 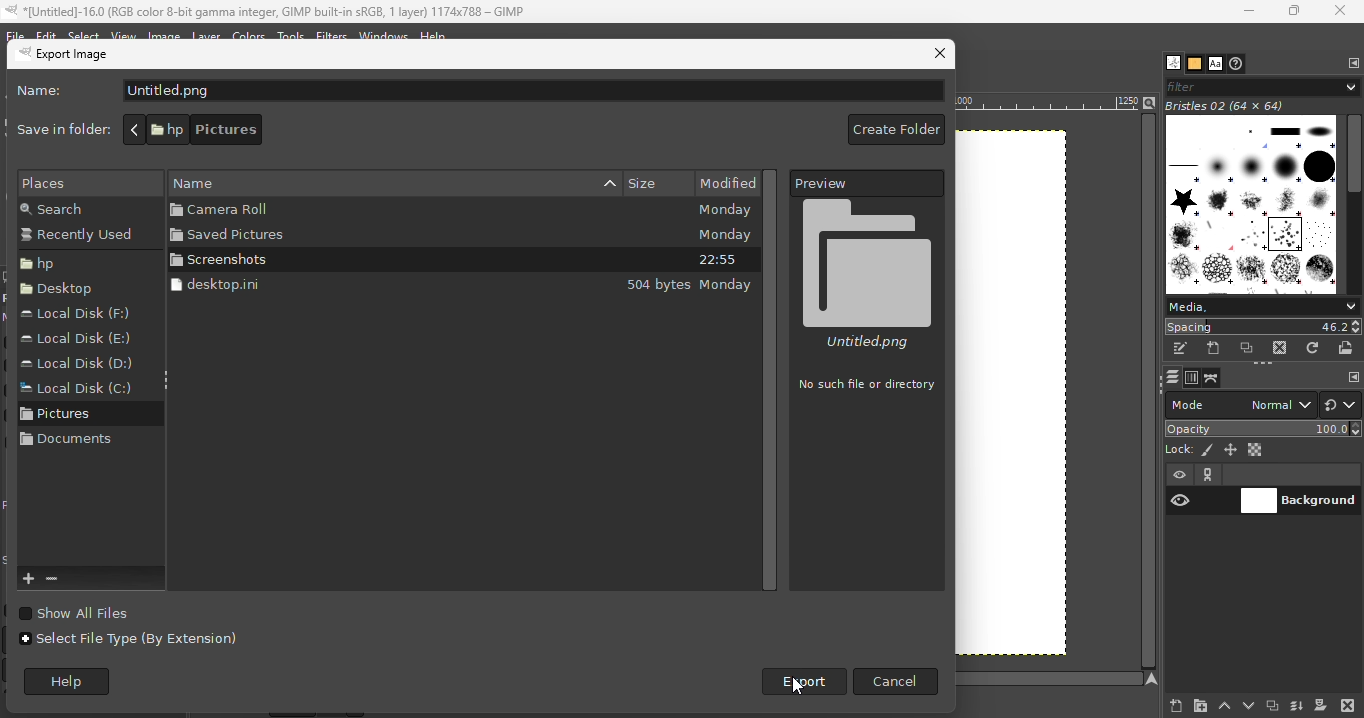 What do you see at coordinates (46, 93) in the screenshot?
I see `Name:` at bounding box center [46, 93].